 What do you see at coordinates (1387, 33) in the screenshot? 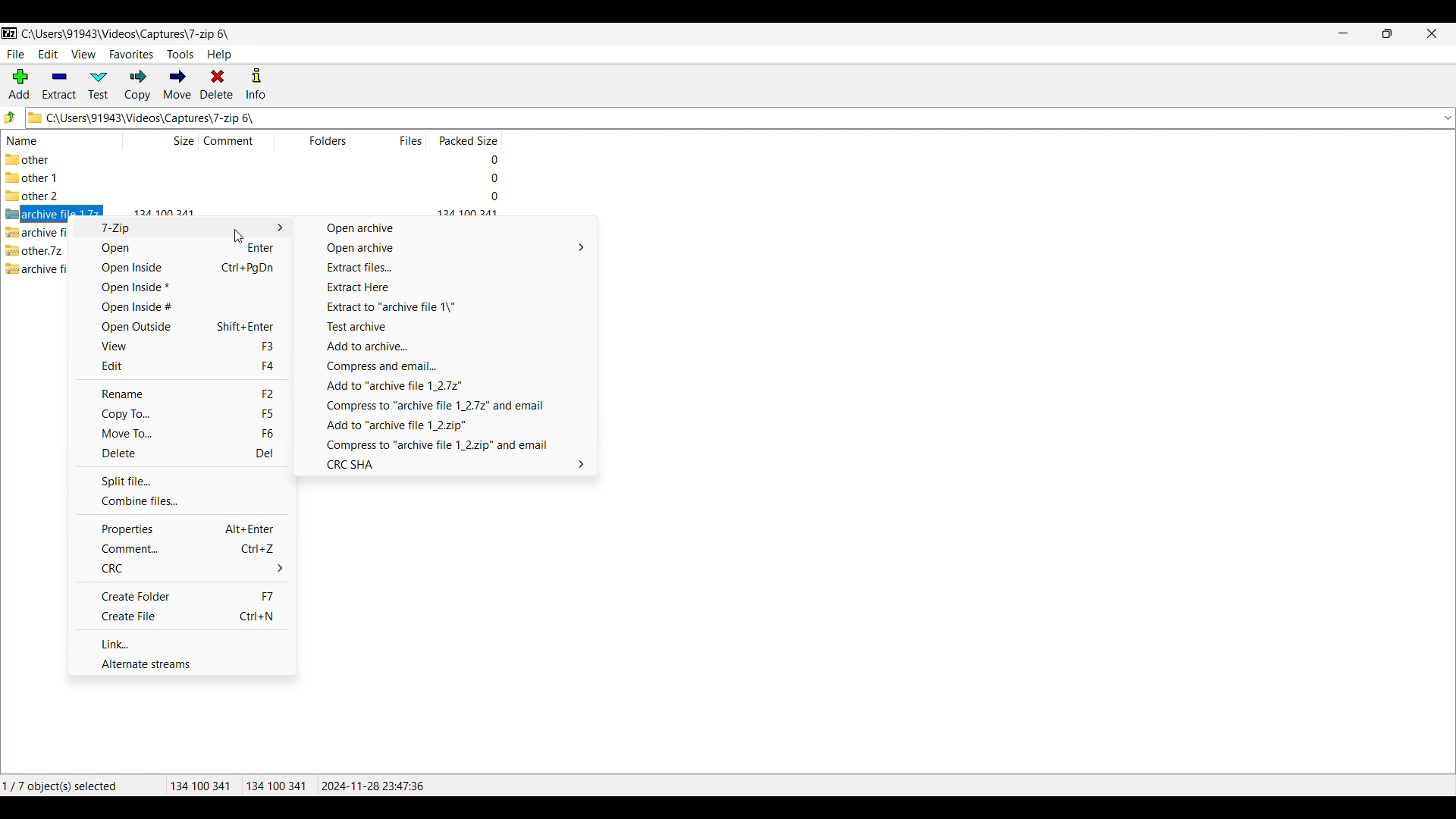
I see `Resize` at bounding box center [1387, 33].